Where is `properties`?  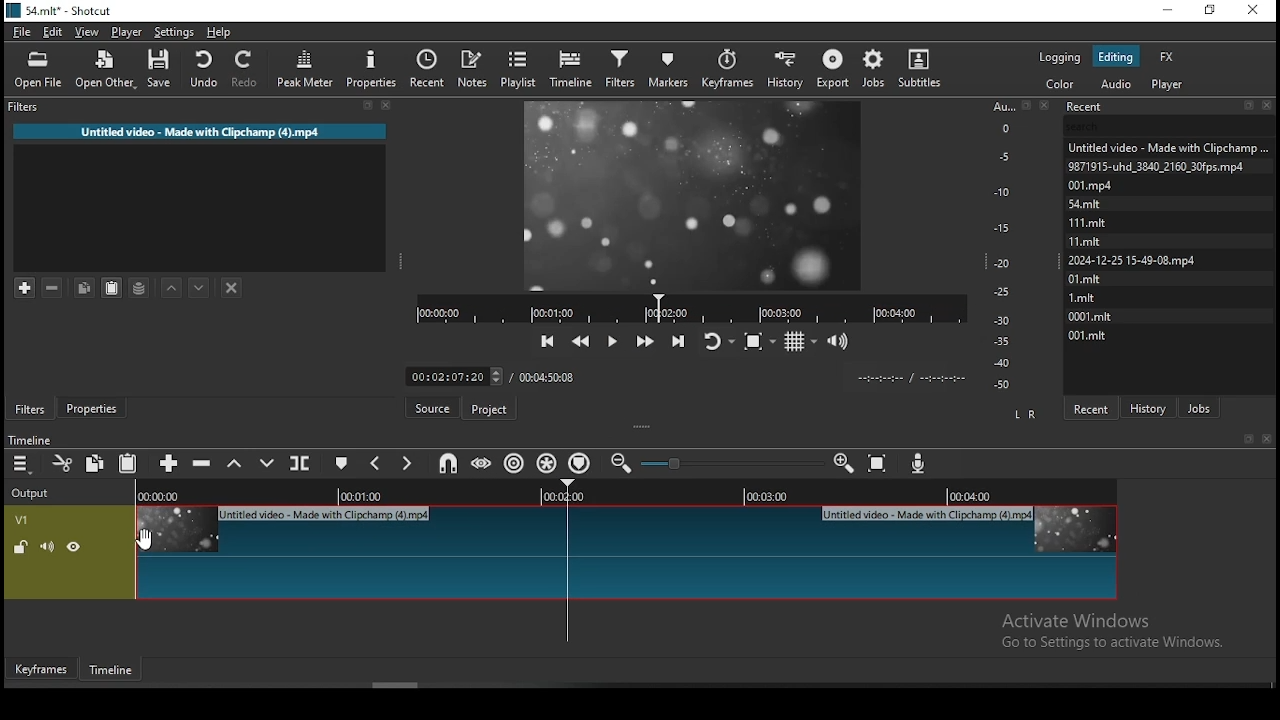 properties is located at coordinates (94, 408).